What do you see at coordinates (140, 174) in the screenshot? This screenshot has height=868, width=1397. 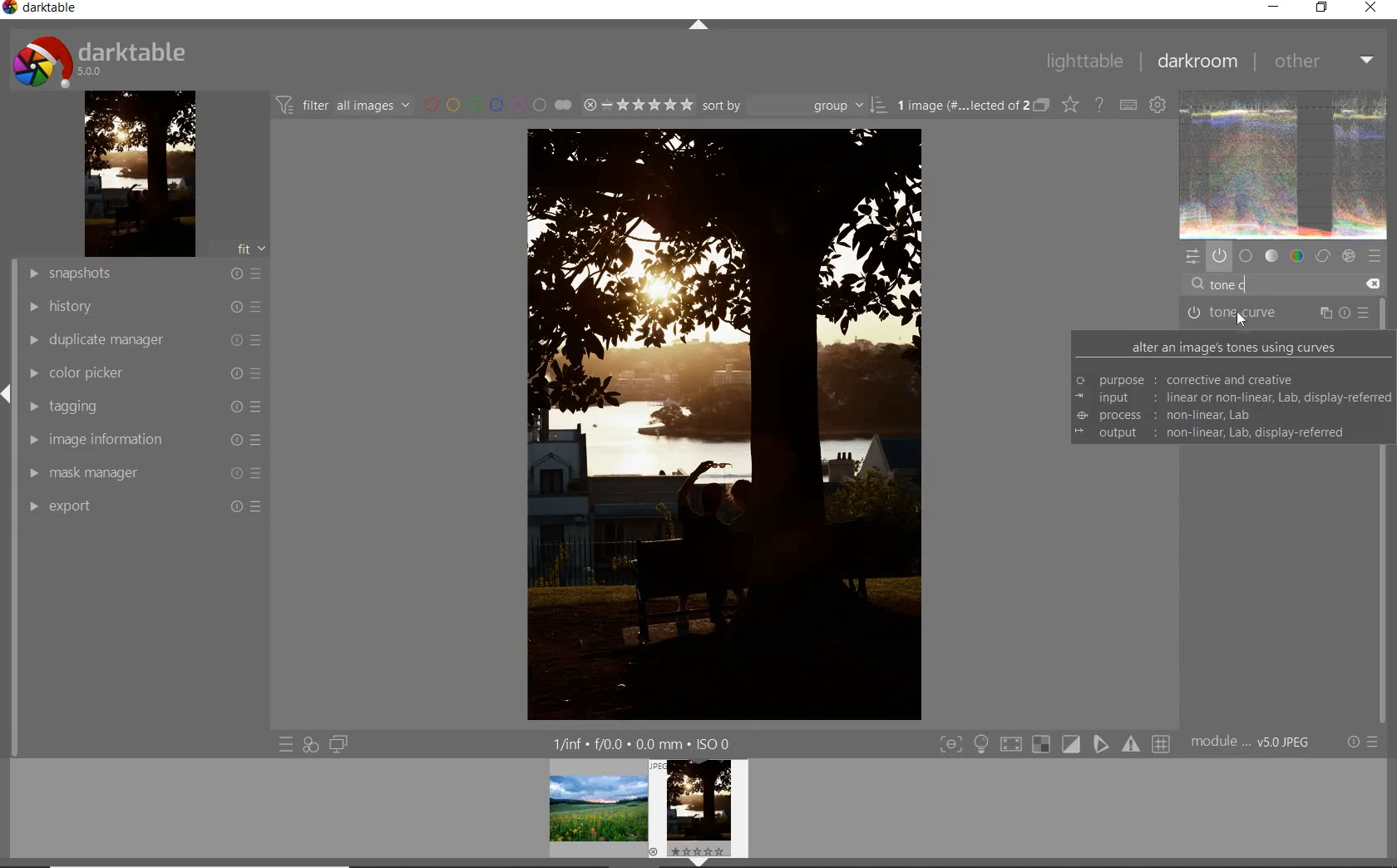 I see `image` at bounding box center [140, 174].